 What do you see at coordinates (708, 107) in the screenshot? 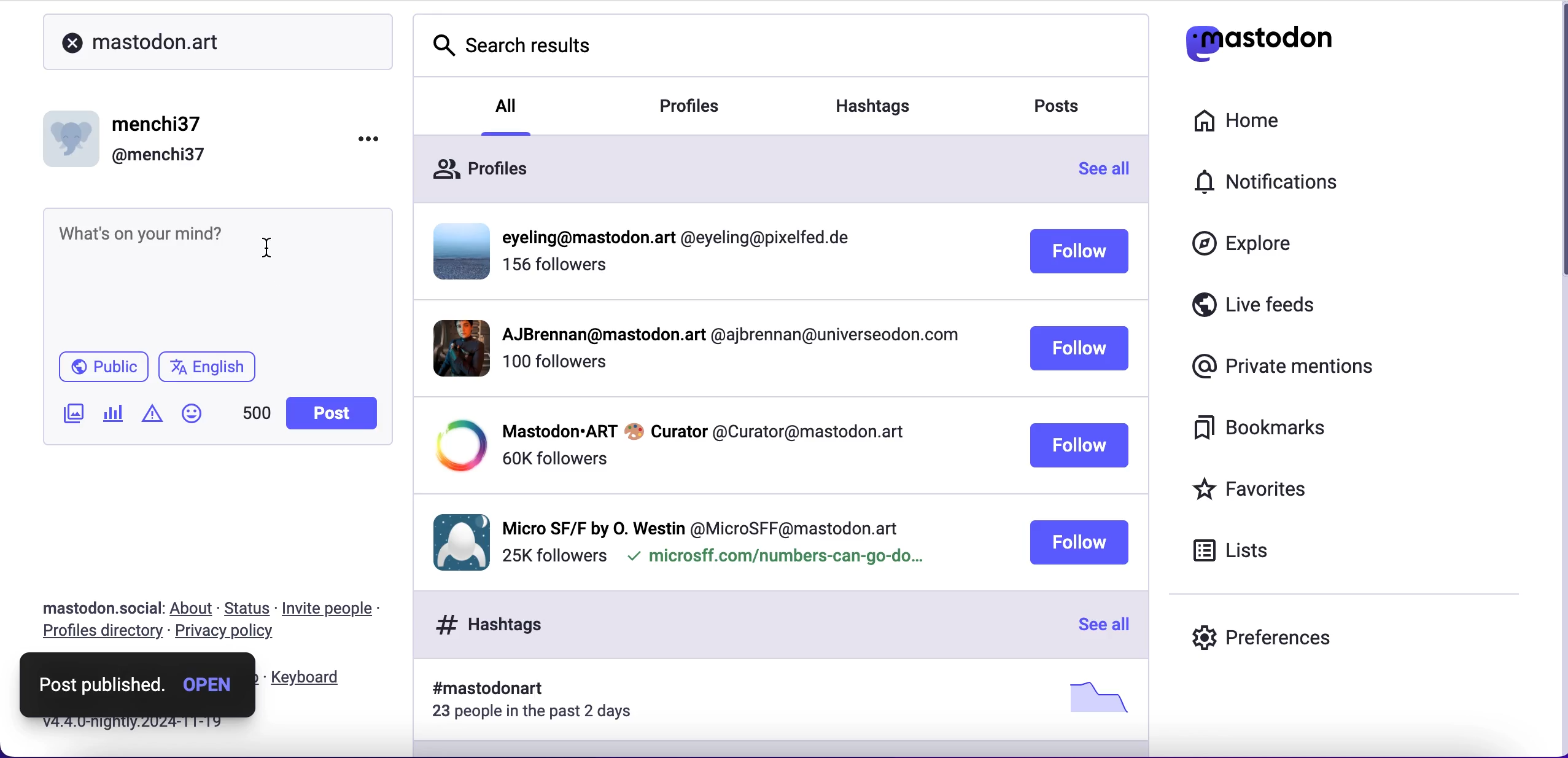
I see `profiles` at bounding box center [708, 107].